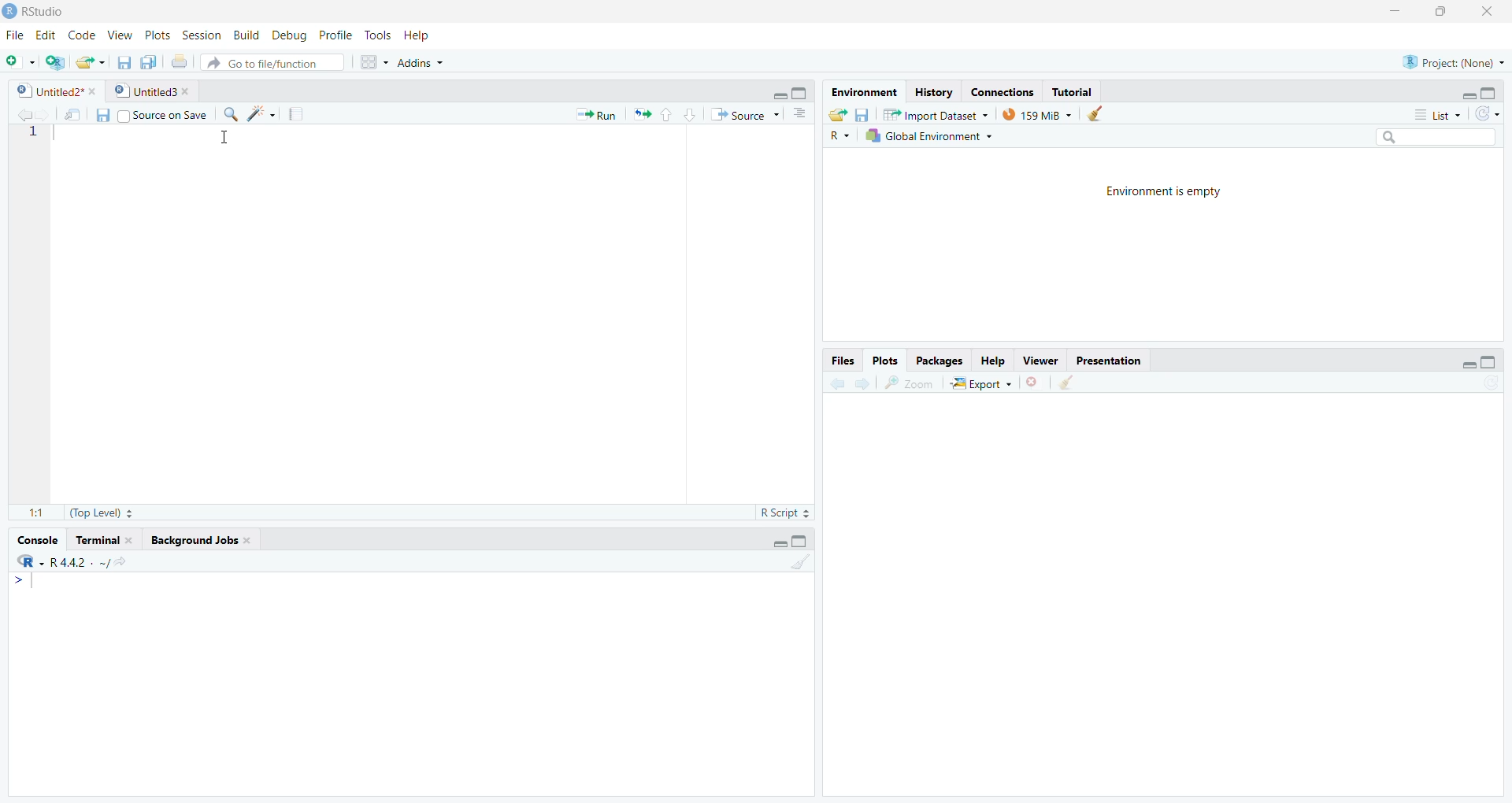 This screenshot has width=1512, height=803. What do you see at coordinates (121, 64) in the screenshot?
I see `Save` at bounding box center [121, 64].